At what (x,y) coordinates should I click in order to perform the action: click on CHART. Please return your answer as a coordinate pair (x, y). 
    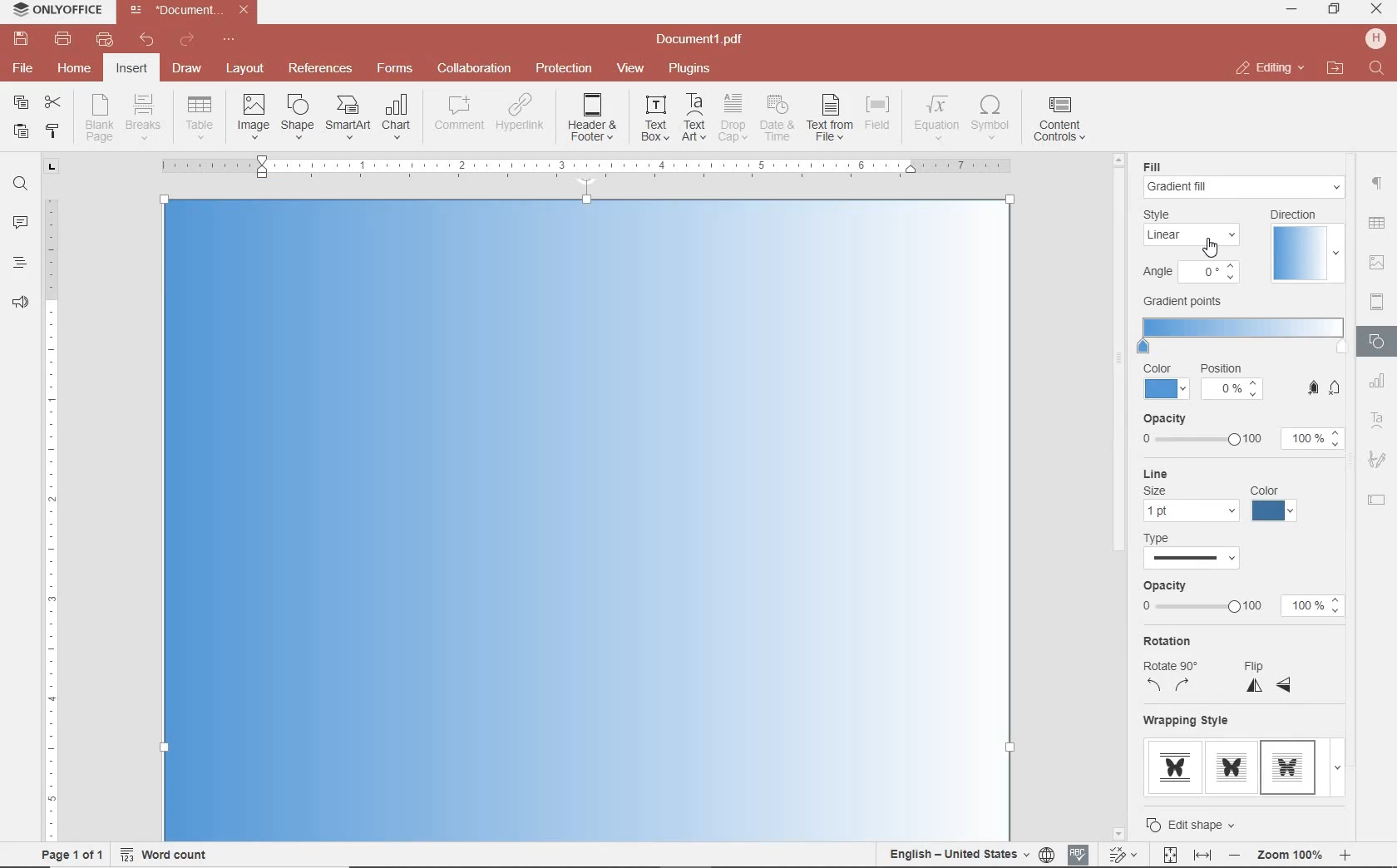
    Looking at the image, I should click on (1378, 382).